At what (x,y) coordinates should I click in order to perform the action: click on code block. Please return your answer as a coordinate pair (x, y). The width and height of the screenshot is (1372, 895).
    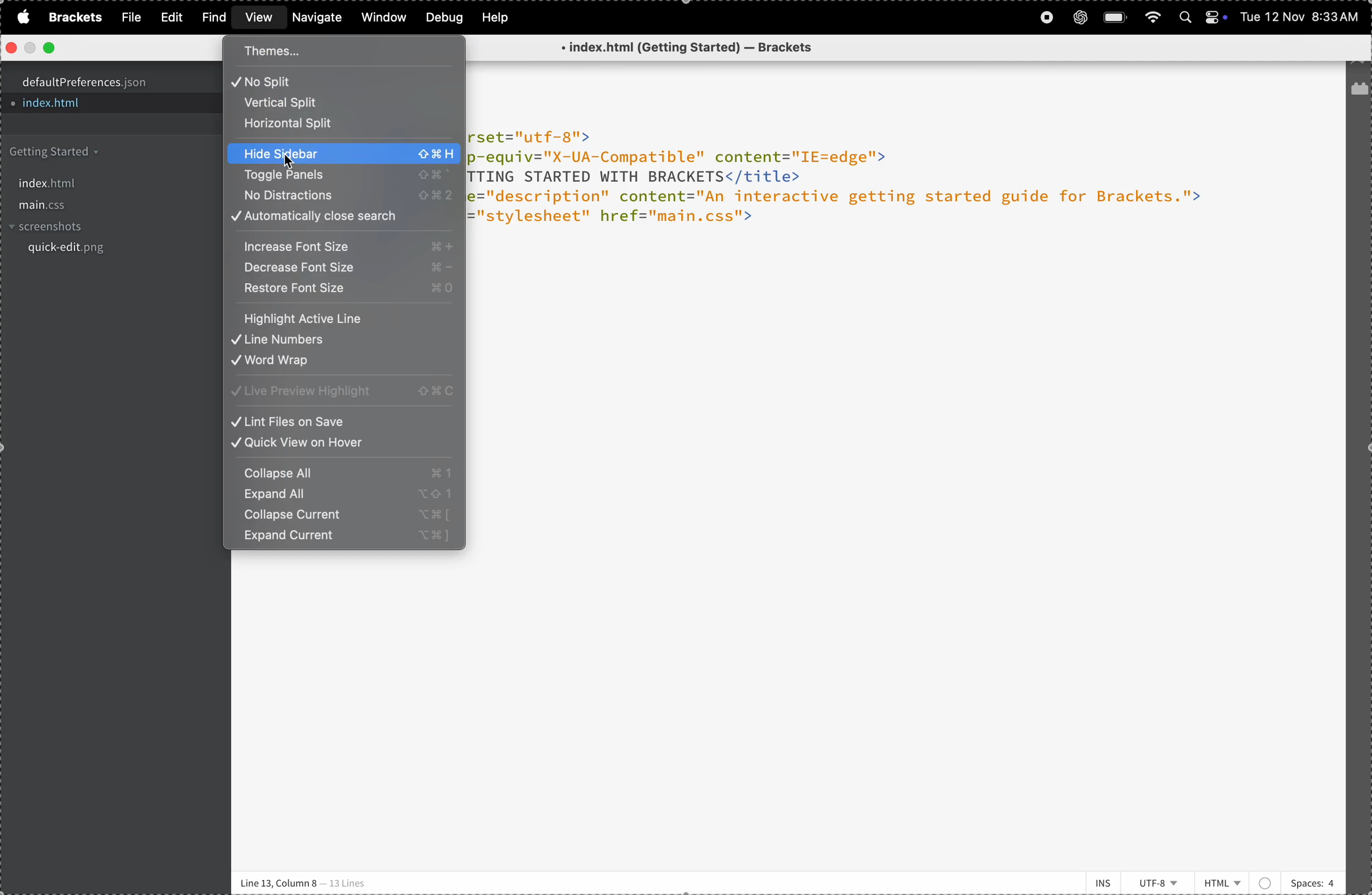
    Looking at the image, I should click on (879, 189).